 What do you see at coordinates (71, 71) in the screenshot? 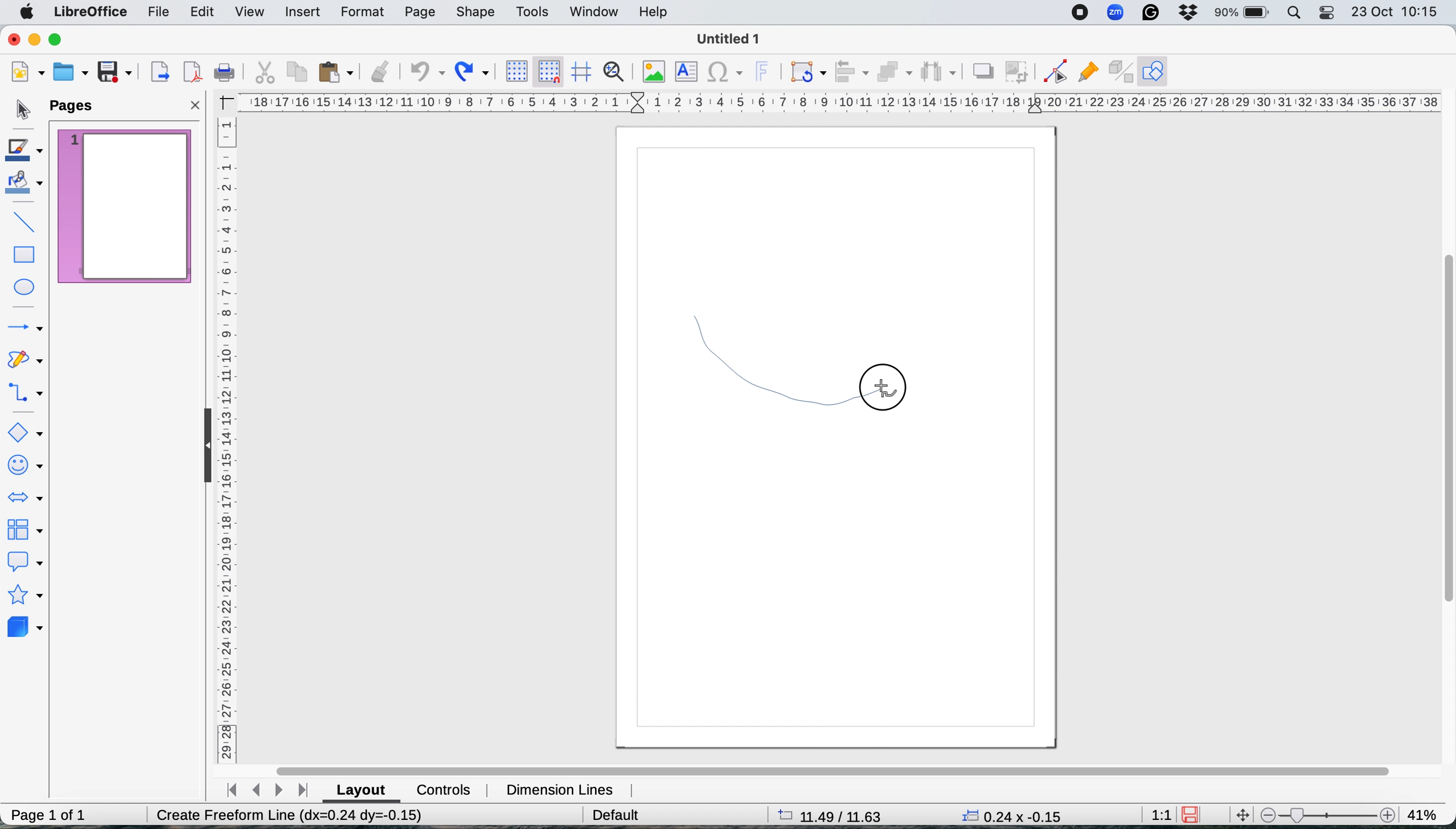
I see `open` at bounding box center [71, 71].